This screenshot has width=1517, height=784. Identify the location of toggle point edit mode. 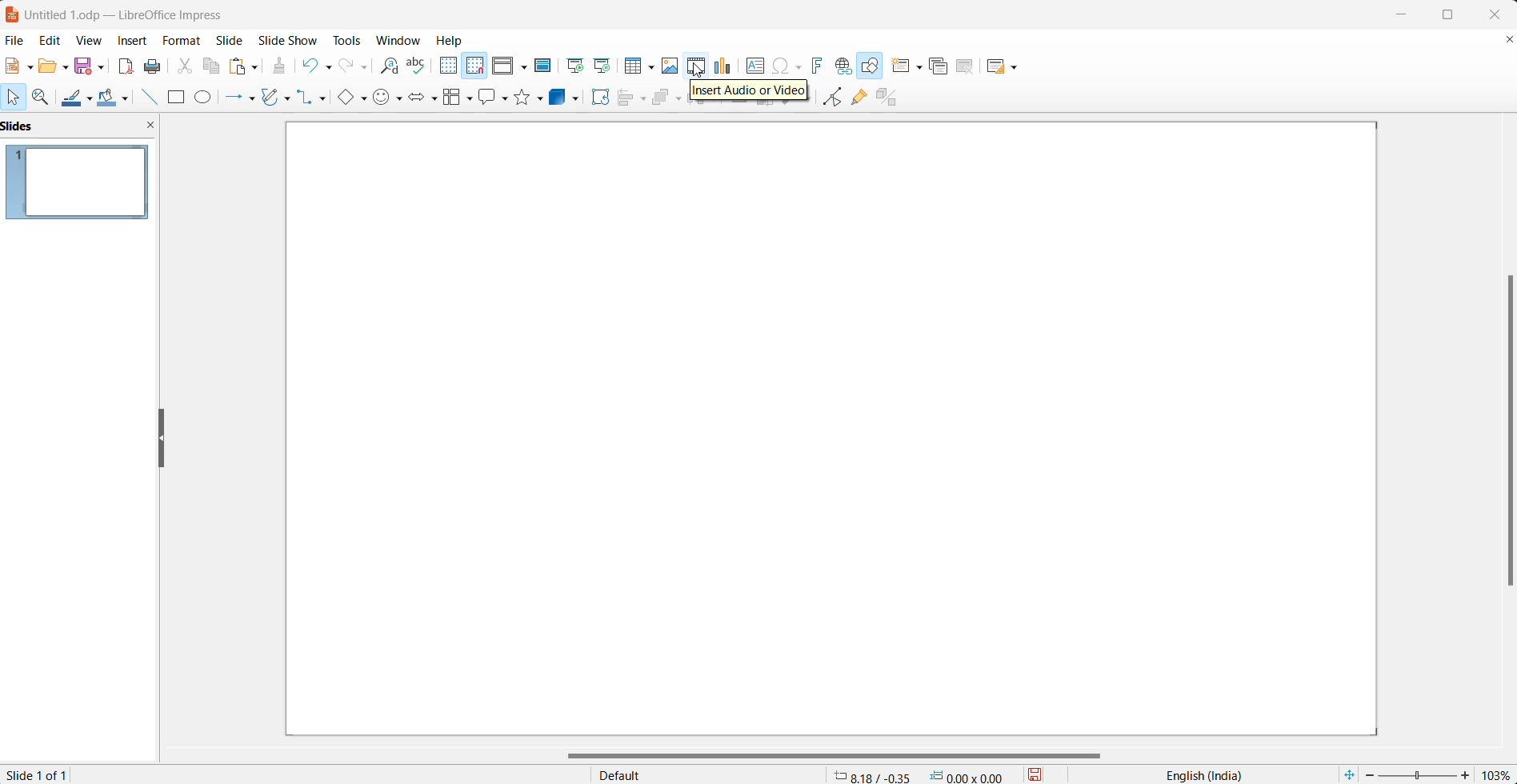
(831, 100).